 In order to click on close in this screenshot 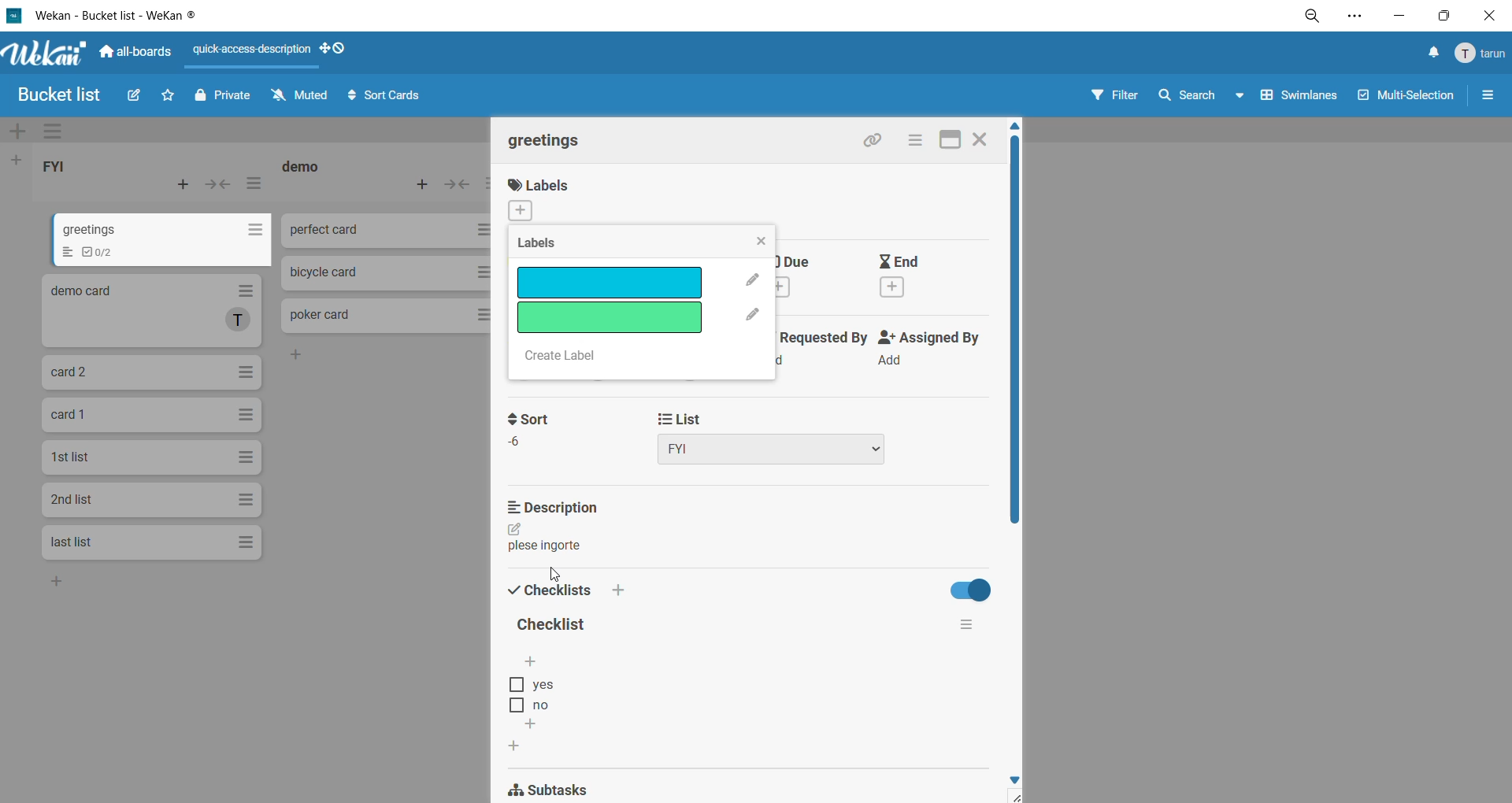, I will do `click(980, 140)`.